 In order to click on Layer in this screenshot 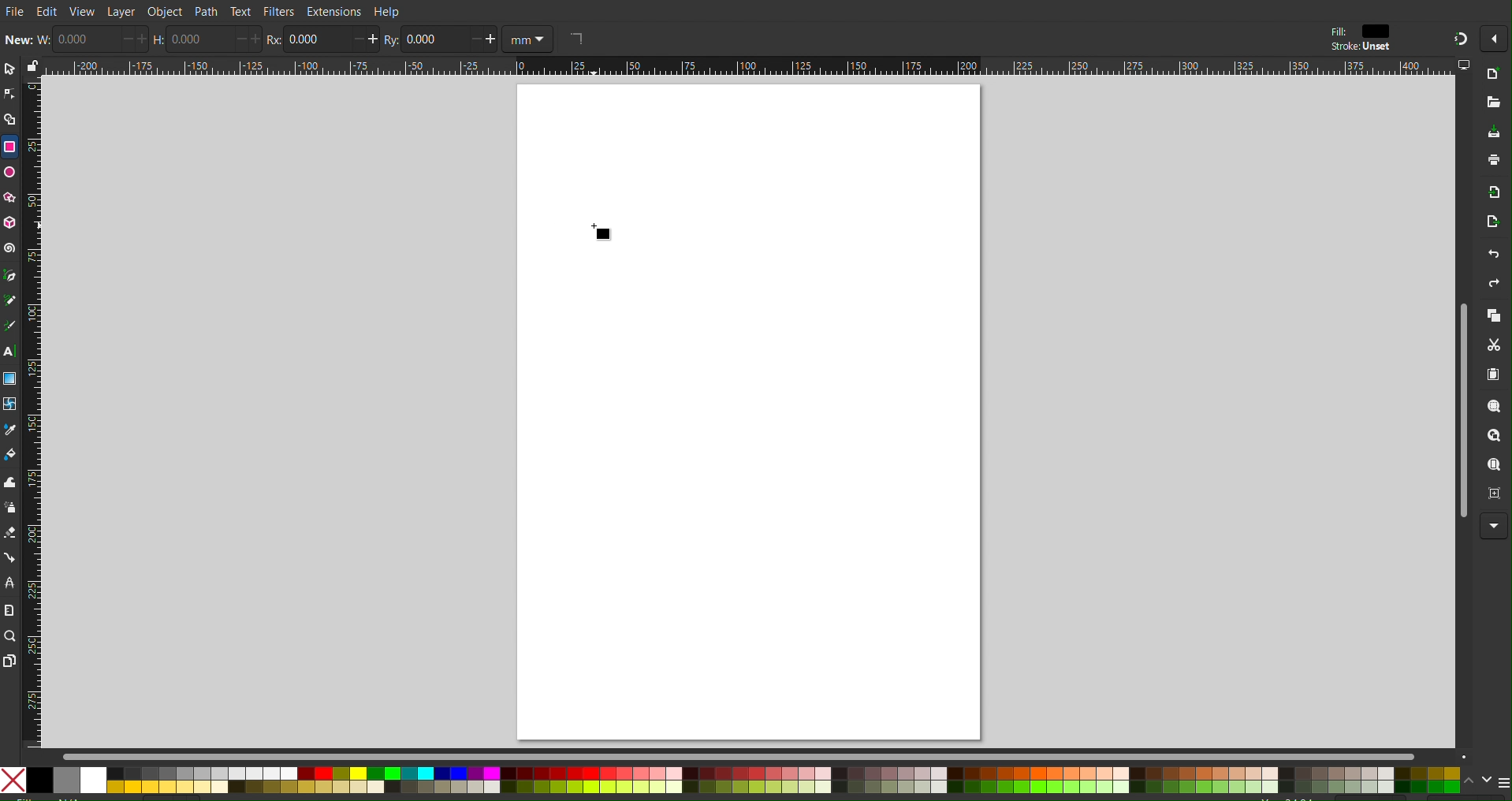, I will do `click(120, 10)`.